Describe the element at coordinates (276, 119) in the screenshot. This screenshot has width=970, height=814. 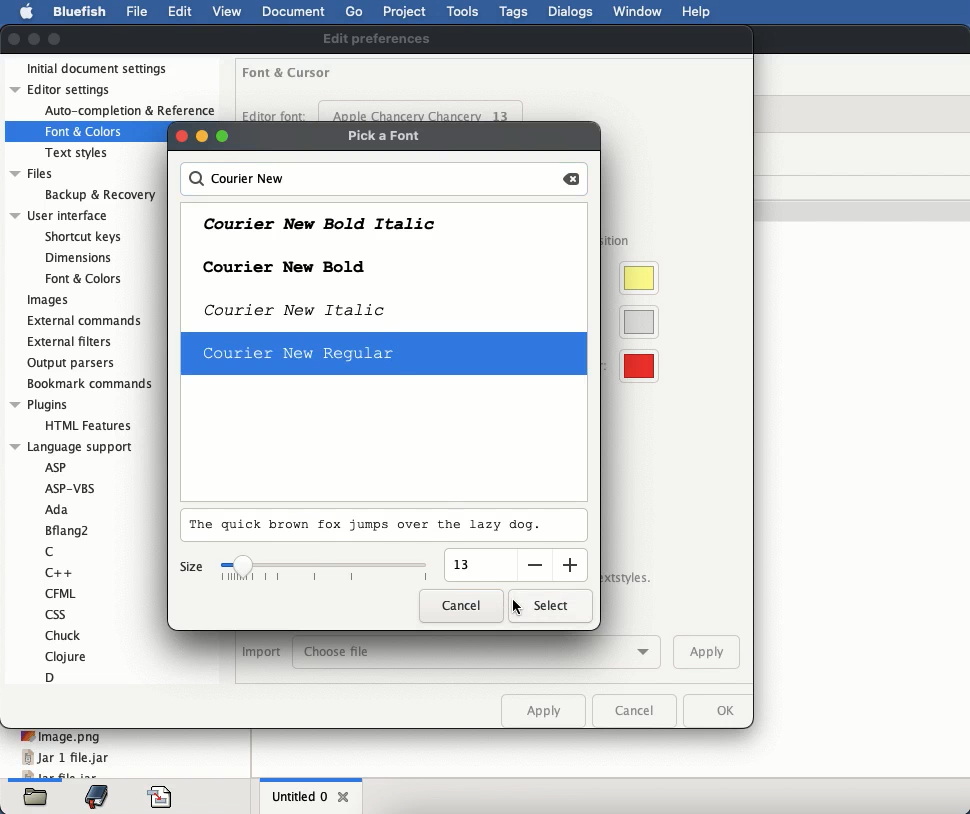
I see `editor font` at that location.